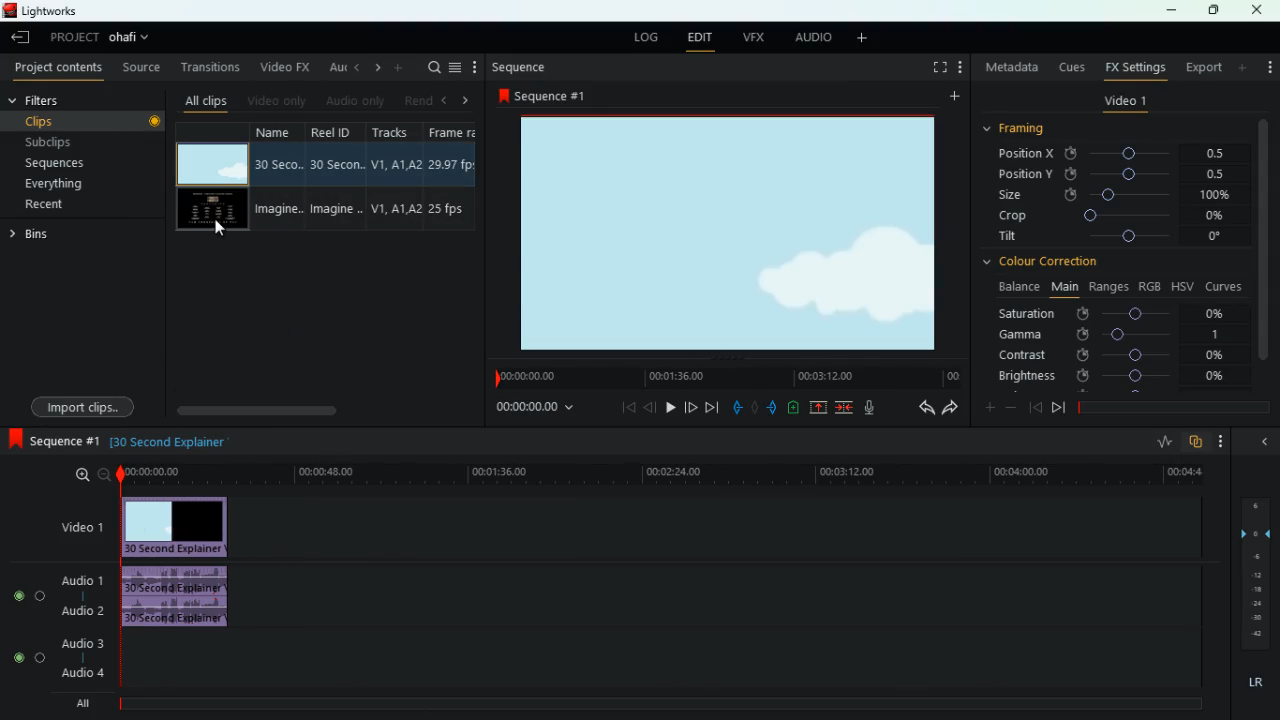 The width and height of the screenshot is (1280, 720). Describe the element at coordinates (738, 233) in the screenshot. I see `video` at that location.